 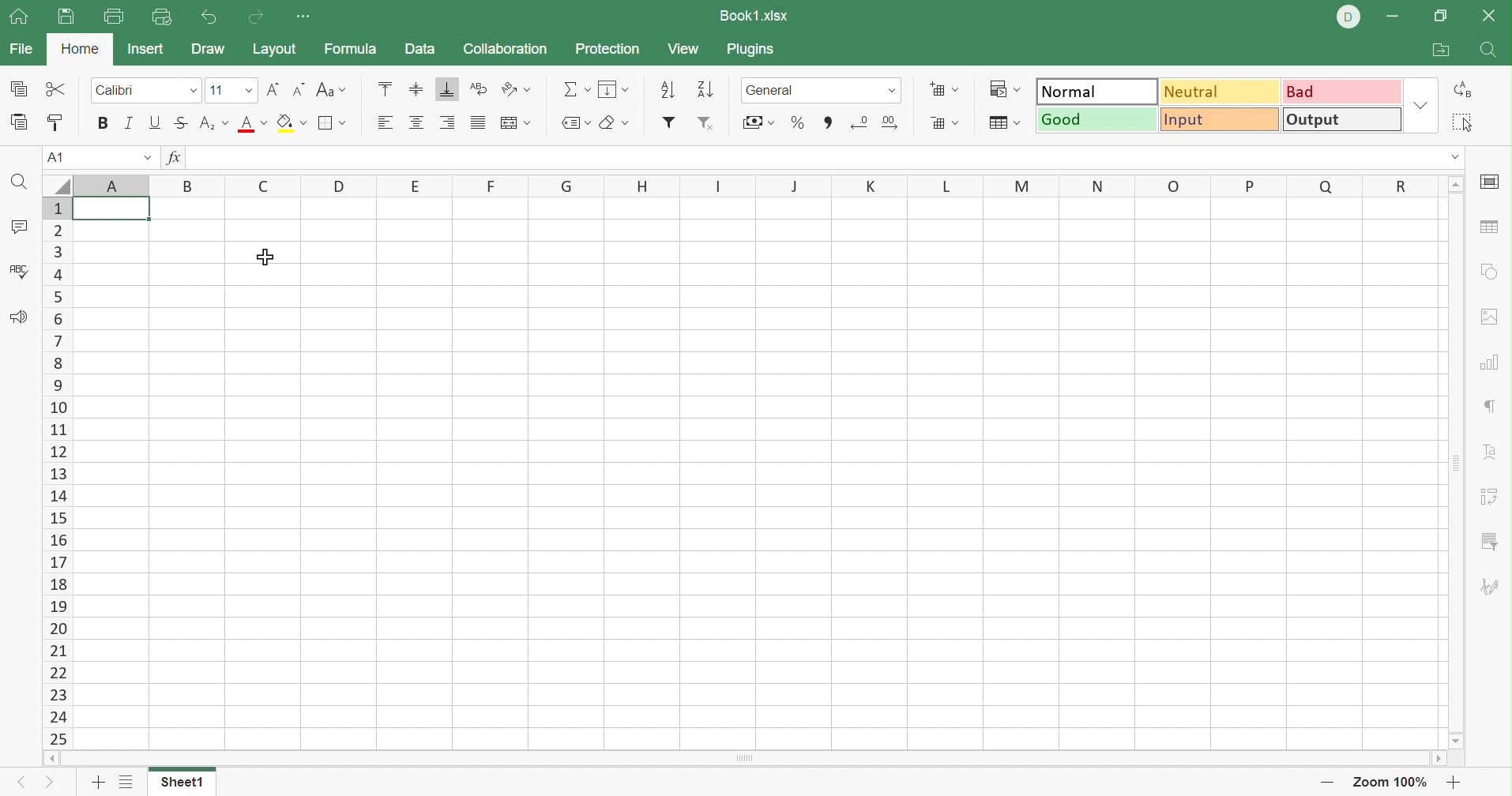 I want to click on Align right, so click(x=446, y=122).